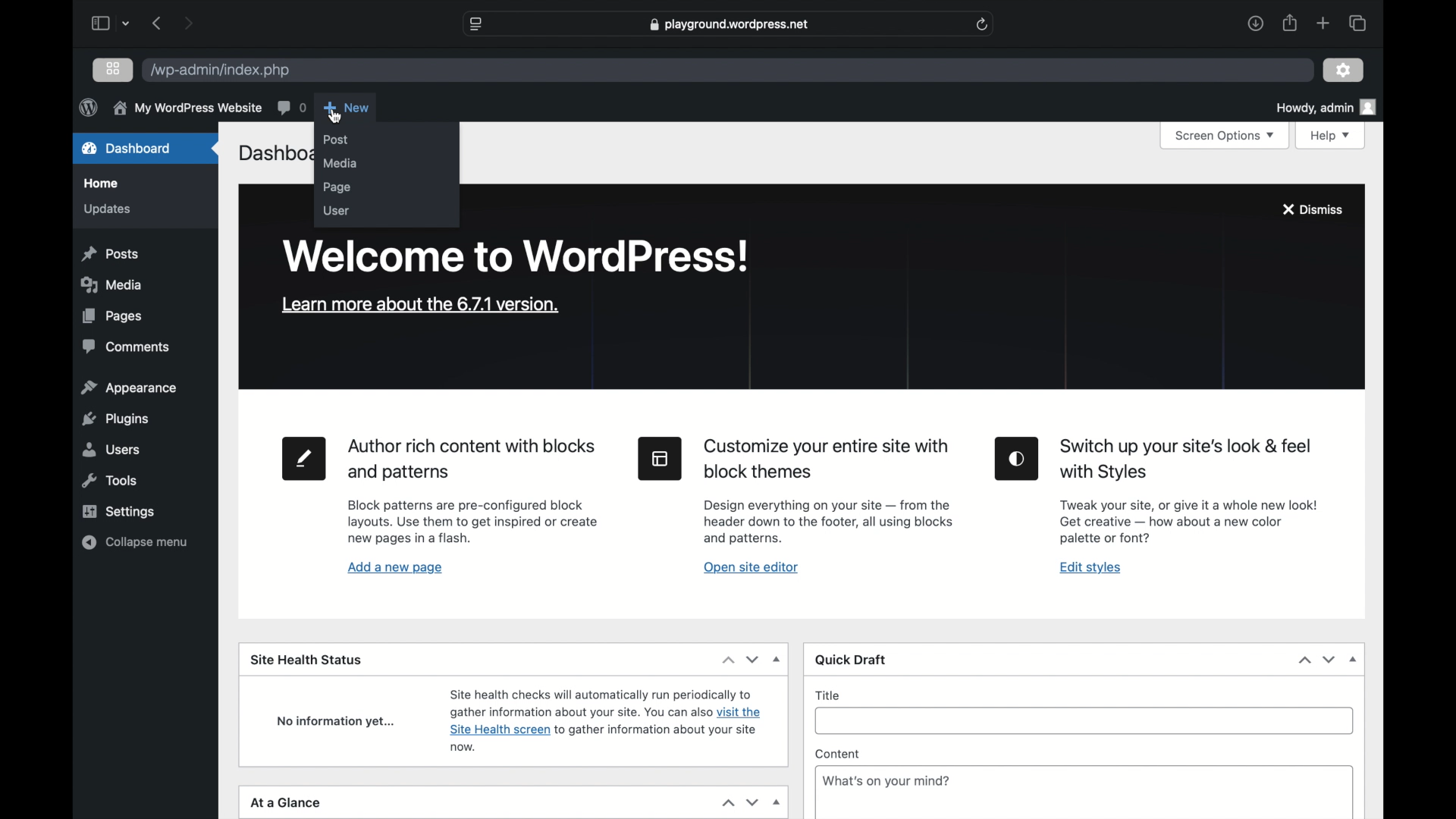 This screenshot has height=819, width=1456. What do you see at coordinates (119, 512) in the screenshot?
I see `settings` at bounding box center [119, 512].